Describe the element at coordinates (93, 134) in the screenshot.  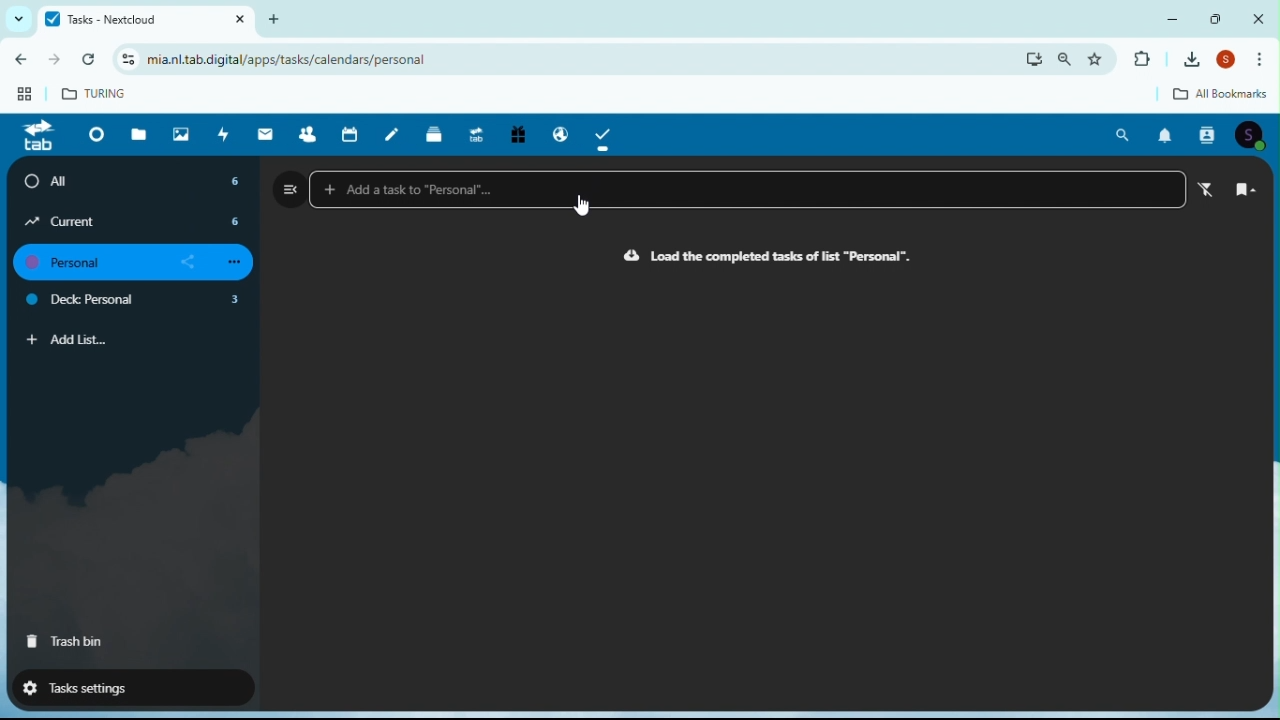
I see `Dashboard` at that location.